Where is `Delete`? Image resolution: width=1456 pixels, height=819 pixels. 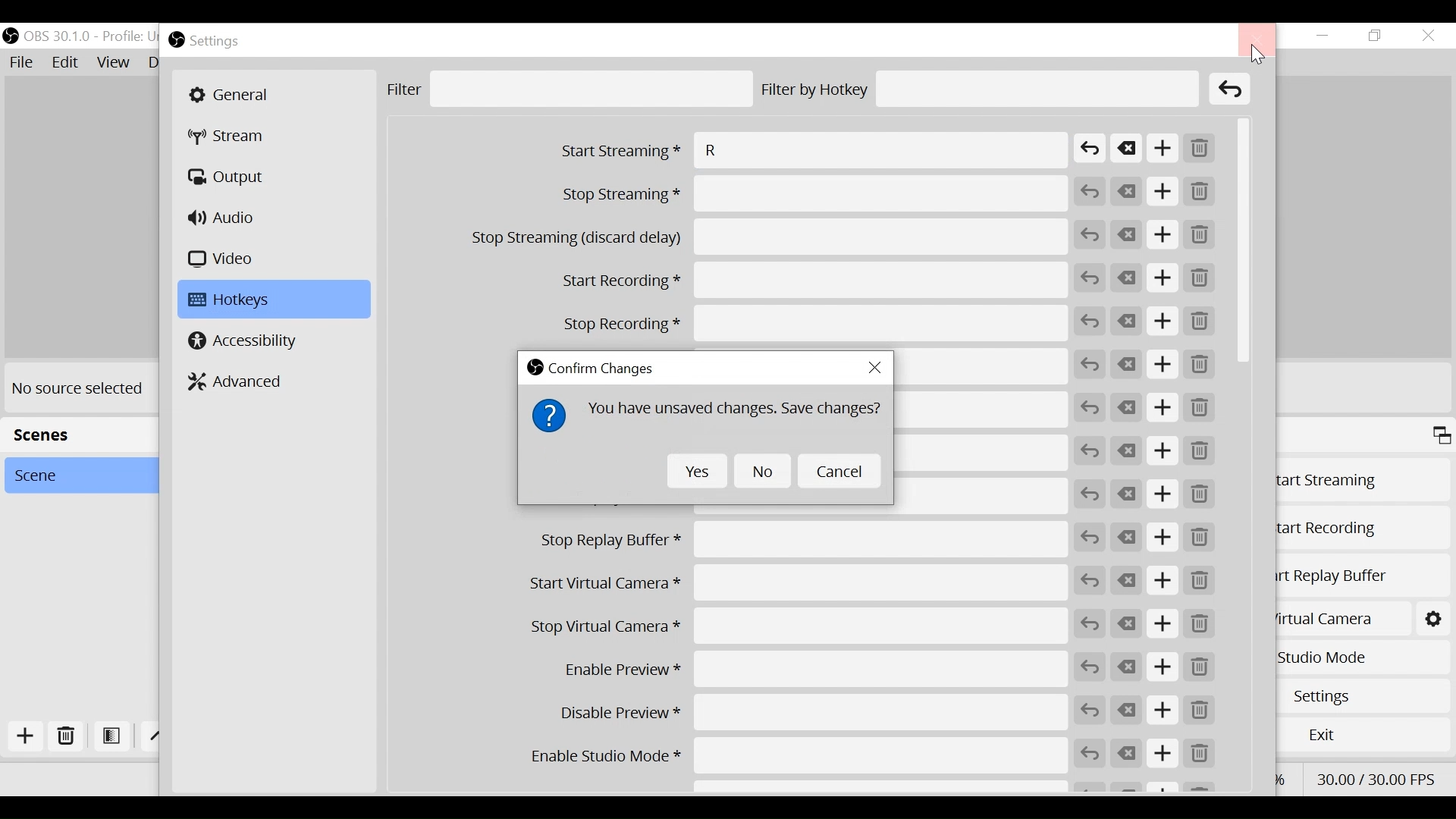
Delete is located at coordinates (67, 737).